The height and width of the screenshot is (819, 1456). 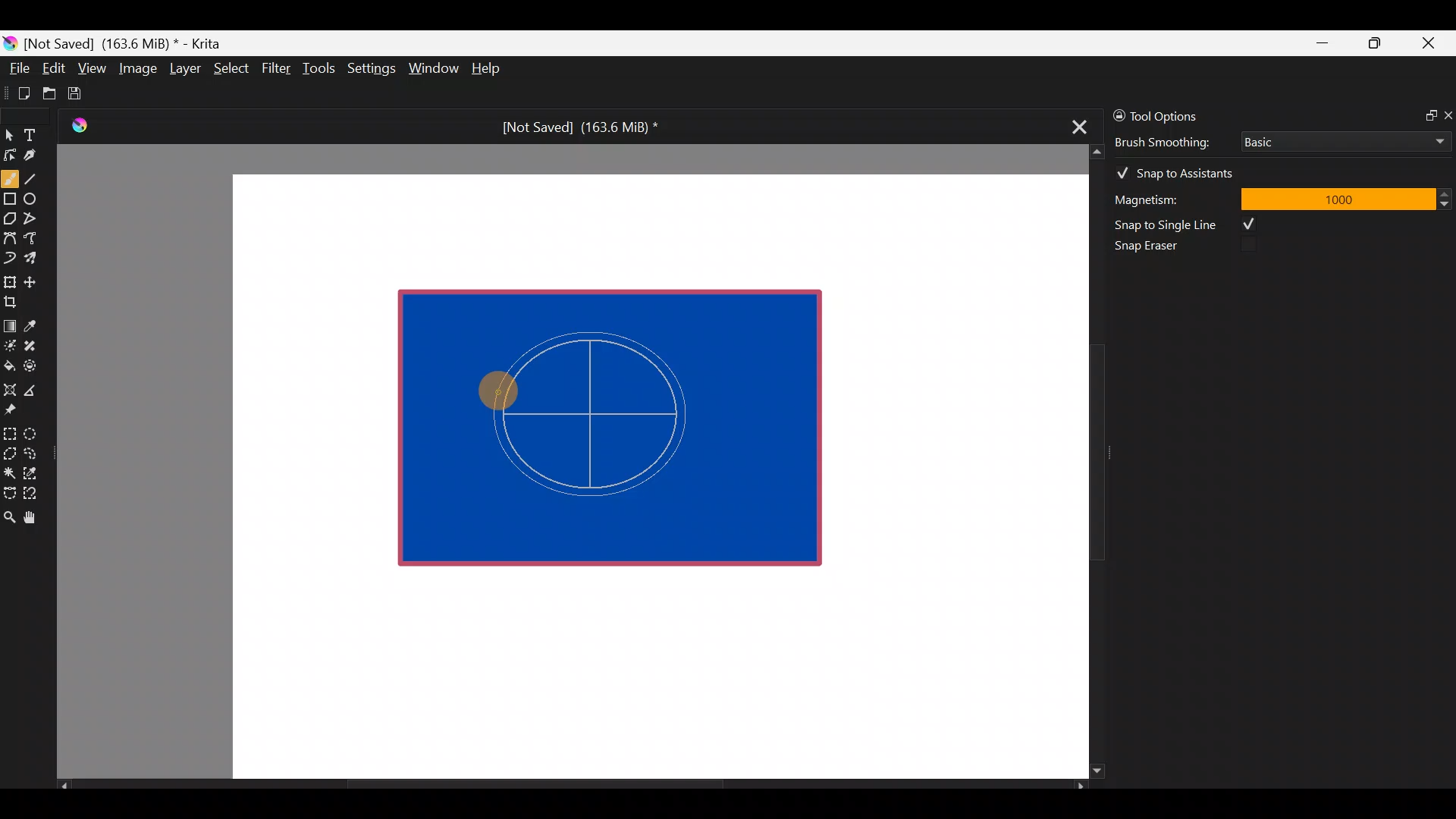 I want to click on Assistant tool, so click(x=9, y=385).